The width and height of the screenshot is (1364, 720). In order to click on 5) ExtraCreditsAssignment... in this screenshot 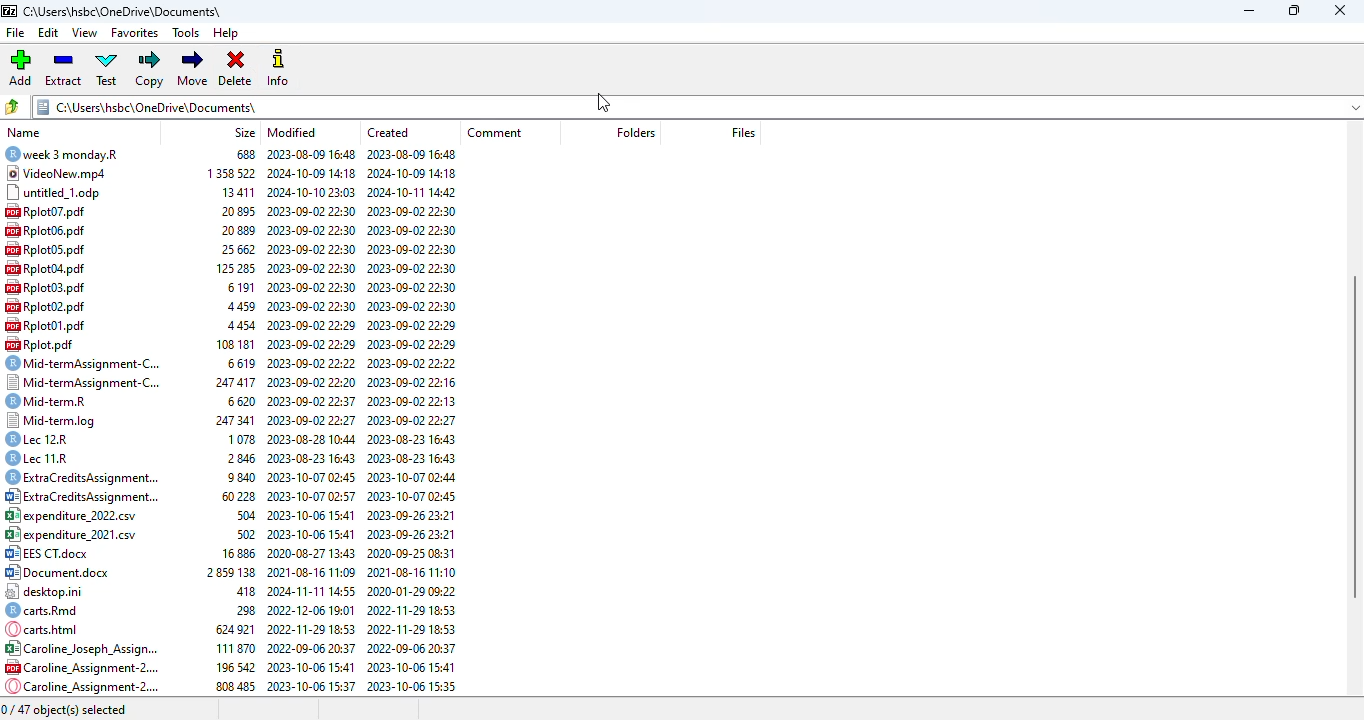, I will do `click(79, 496)`.